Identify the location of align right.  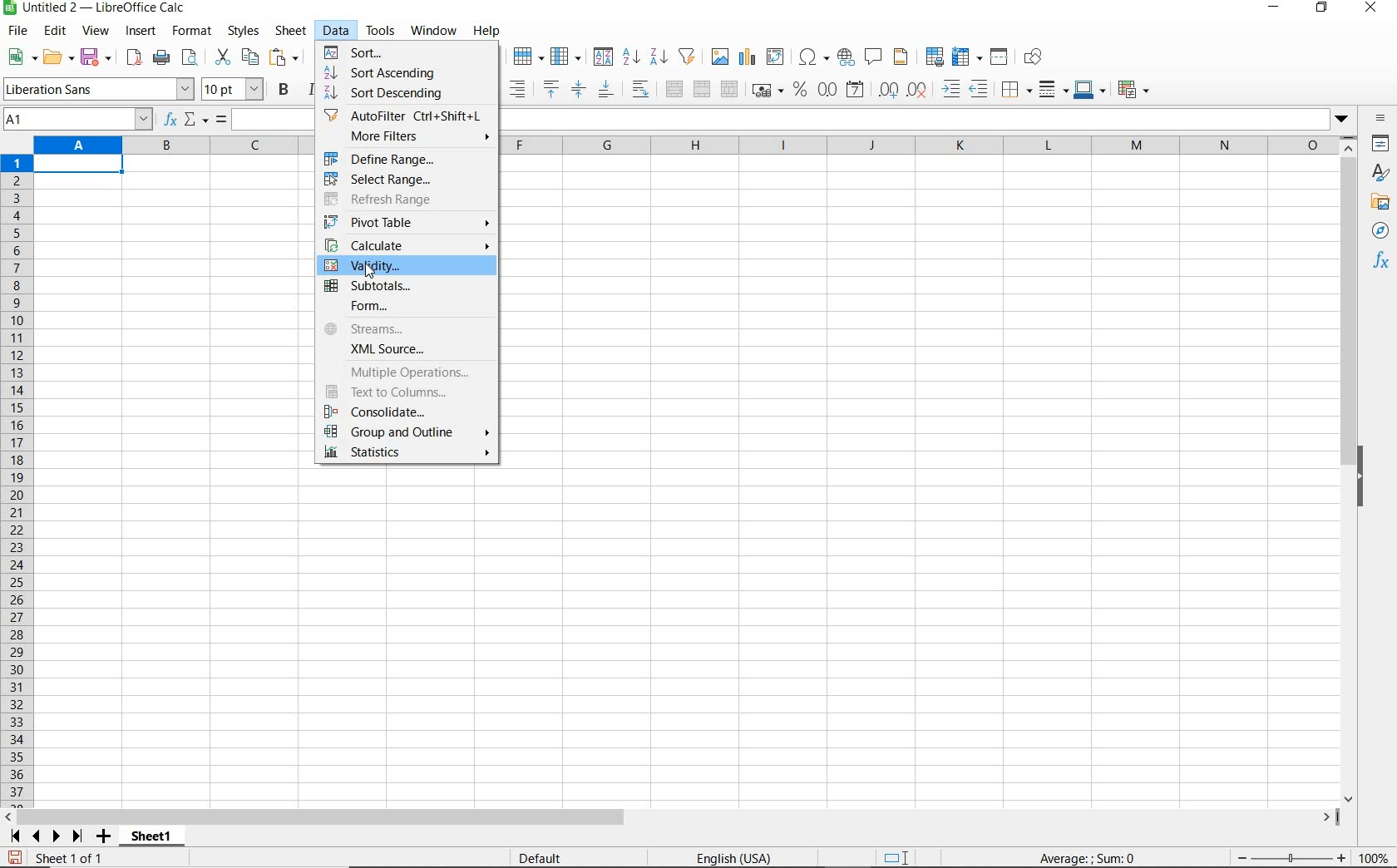
(519, 89).